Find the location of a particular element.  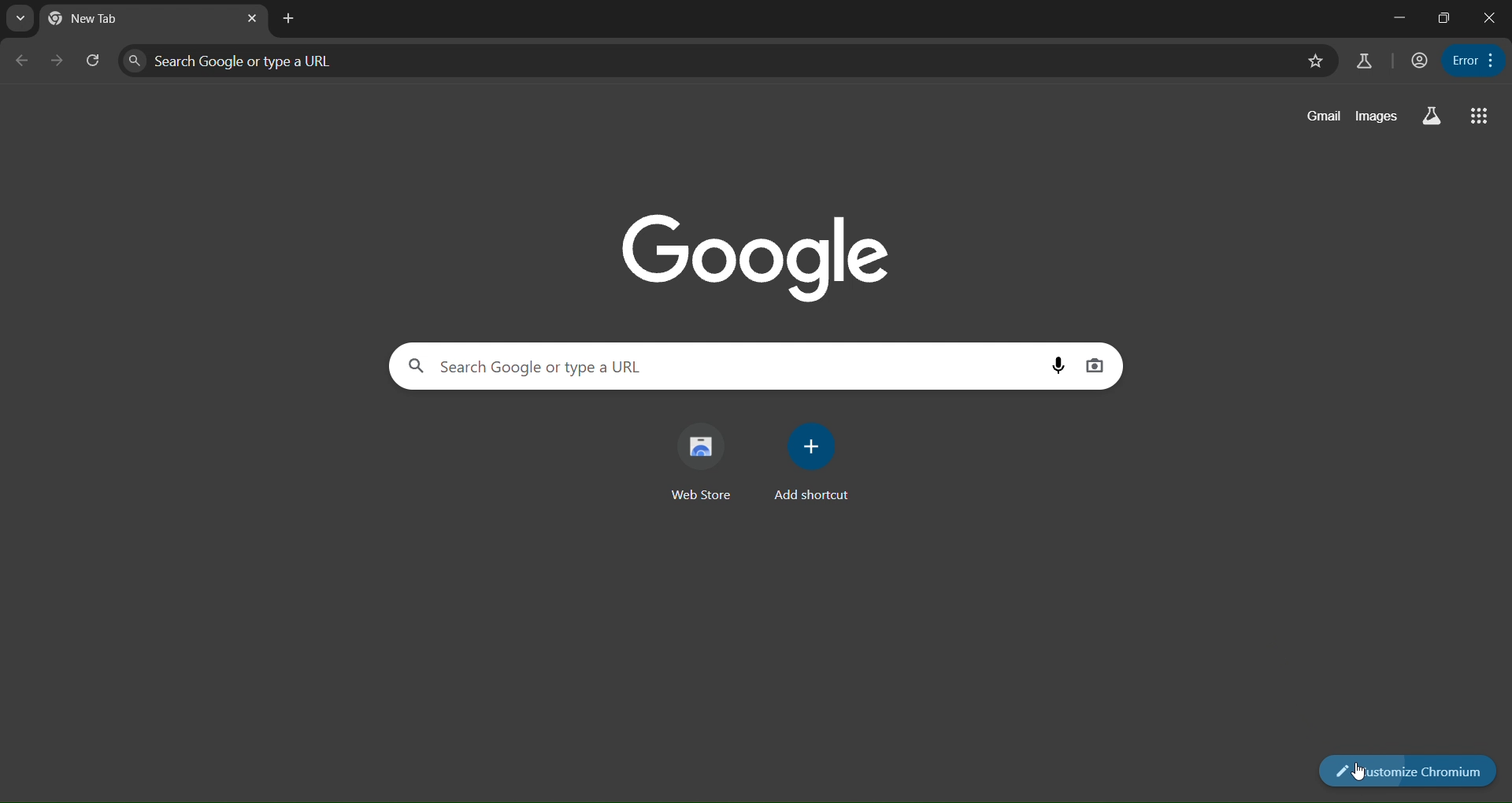

search labs is located at coordinates (1366, 59).